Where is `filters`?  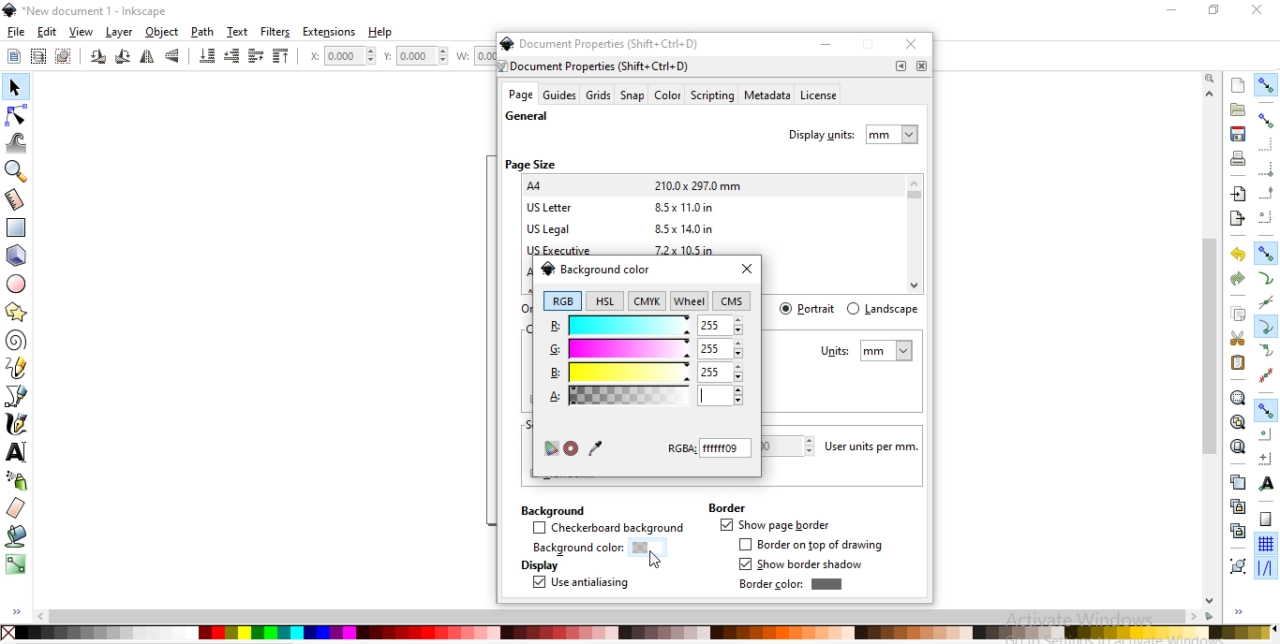 filters is located at coordinates (276, 32).